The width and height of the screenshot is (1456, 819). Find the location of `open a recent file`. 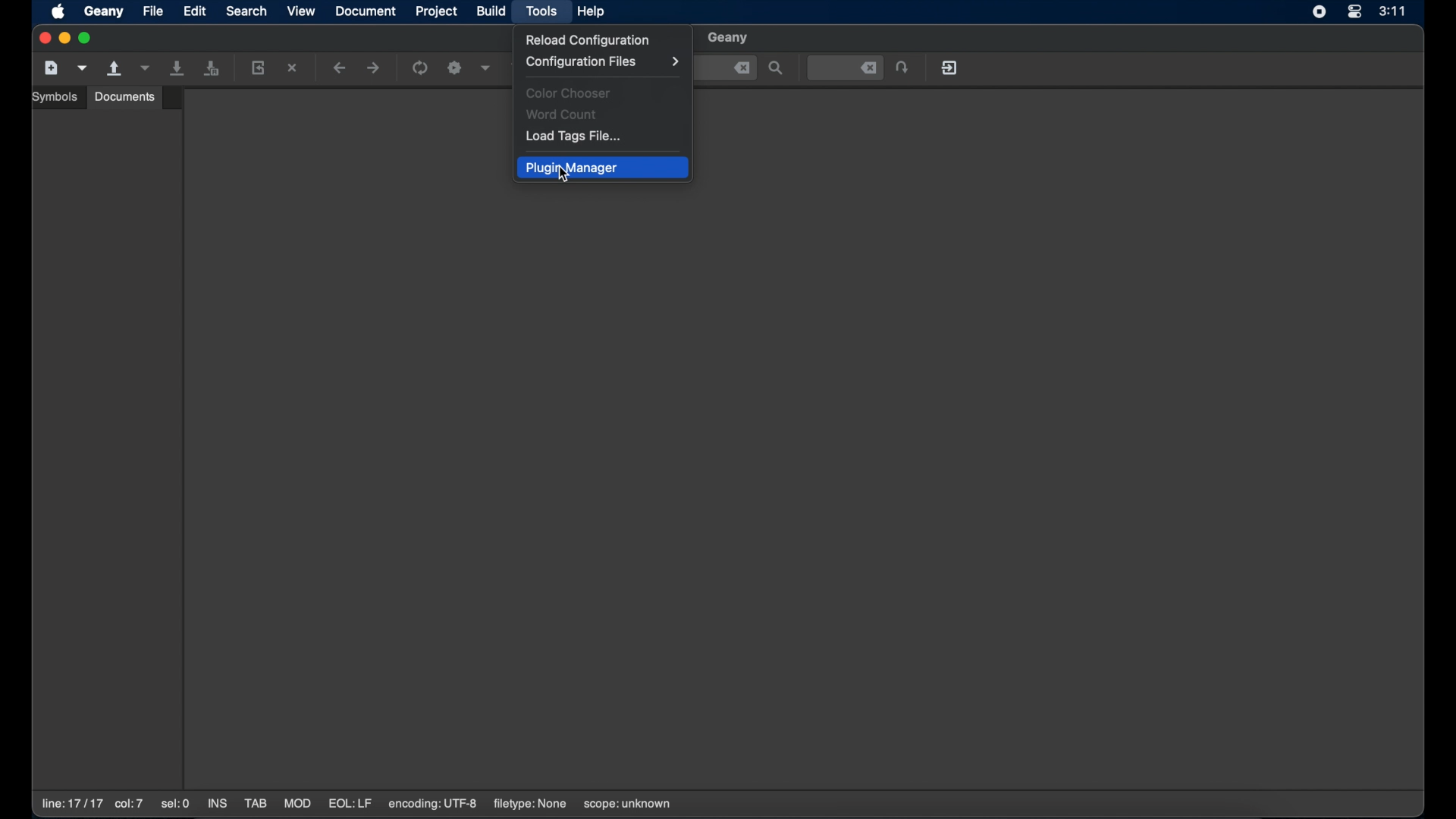

open a recent file is located at coordinates (145, 68).